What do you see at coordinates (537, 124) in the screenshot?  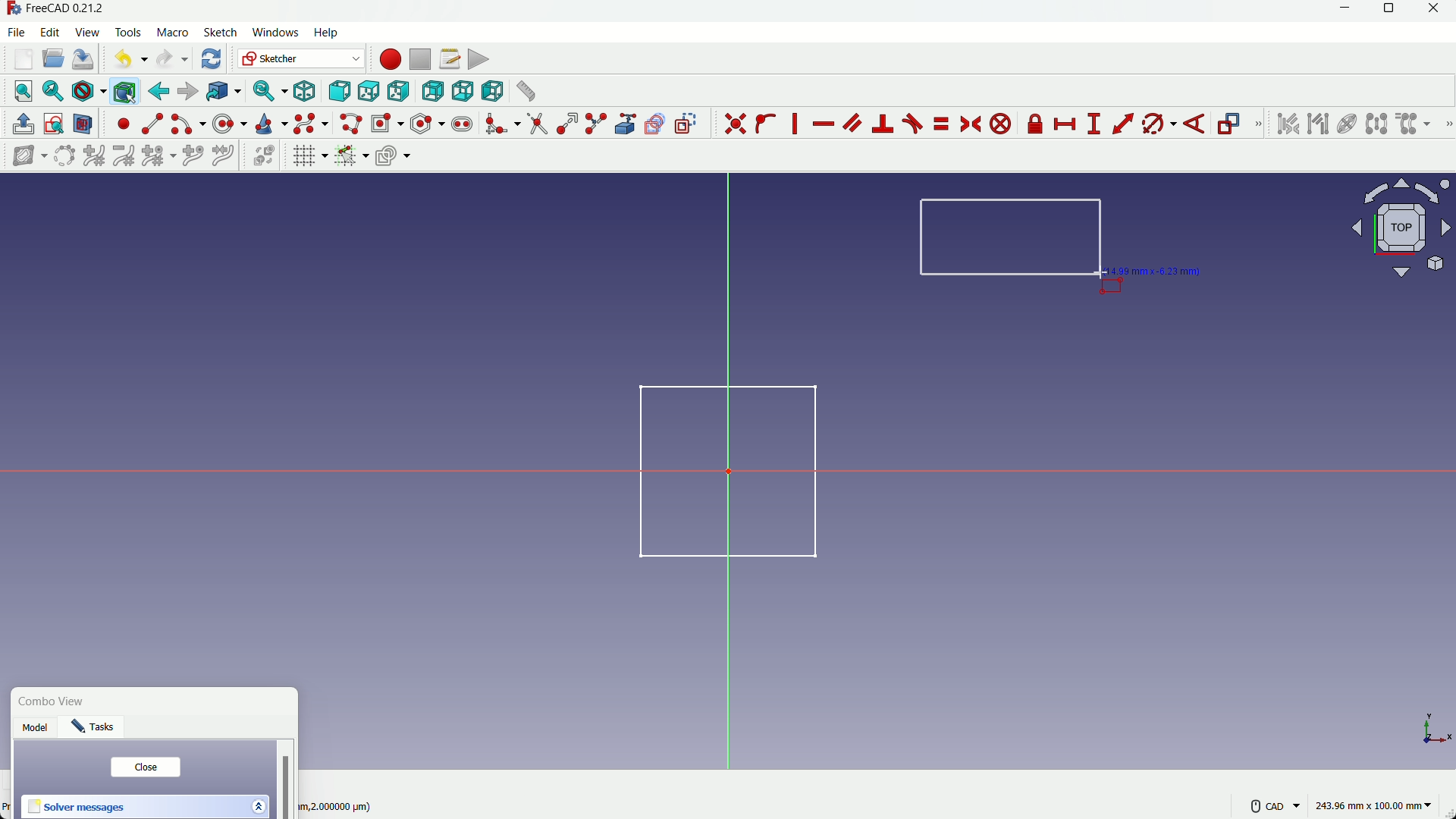 I see `trim edges` at bounding box center [537, 124].